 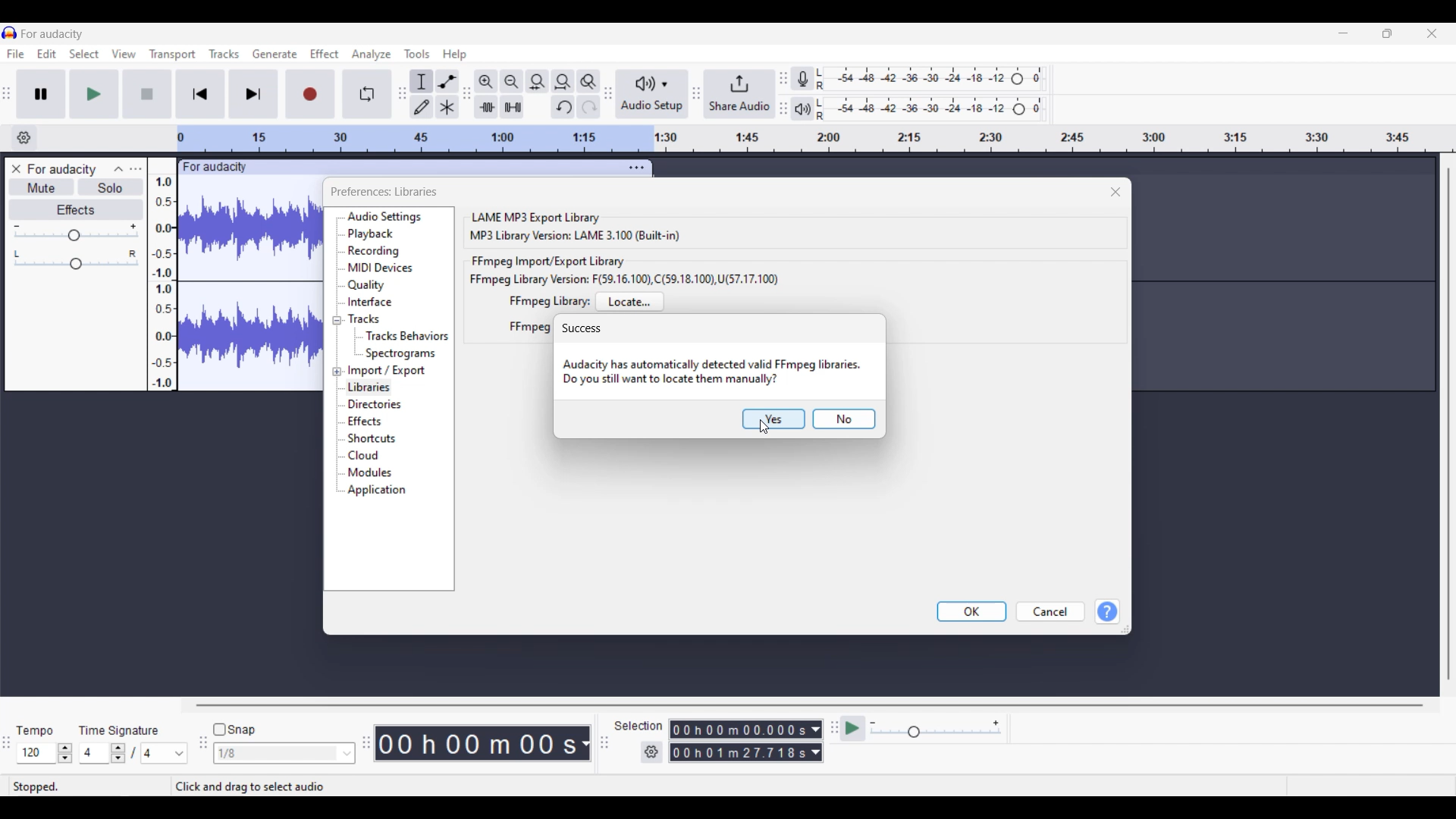 What do you see at coordinates (75, 233) in the screenshot?
I see `Volume slider` at bounding box center [75, 233].